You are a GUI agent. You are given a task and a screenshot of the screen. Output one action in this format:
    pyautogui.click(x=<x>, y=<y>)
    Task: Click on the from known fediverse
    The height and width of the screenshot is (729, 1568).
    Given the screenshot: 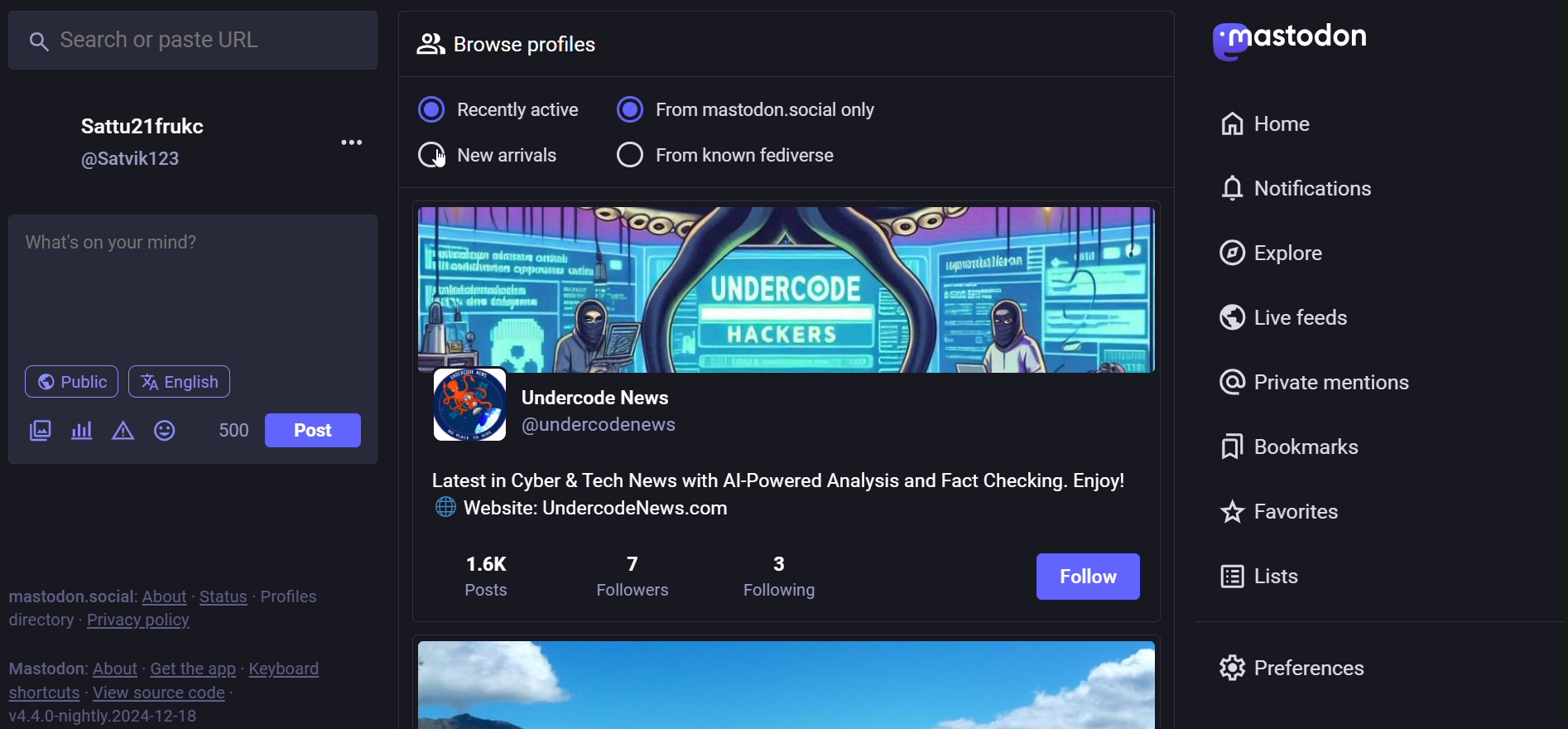 What is the action you would take?
    pyautogui.click(x=731, y=153)
    